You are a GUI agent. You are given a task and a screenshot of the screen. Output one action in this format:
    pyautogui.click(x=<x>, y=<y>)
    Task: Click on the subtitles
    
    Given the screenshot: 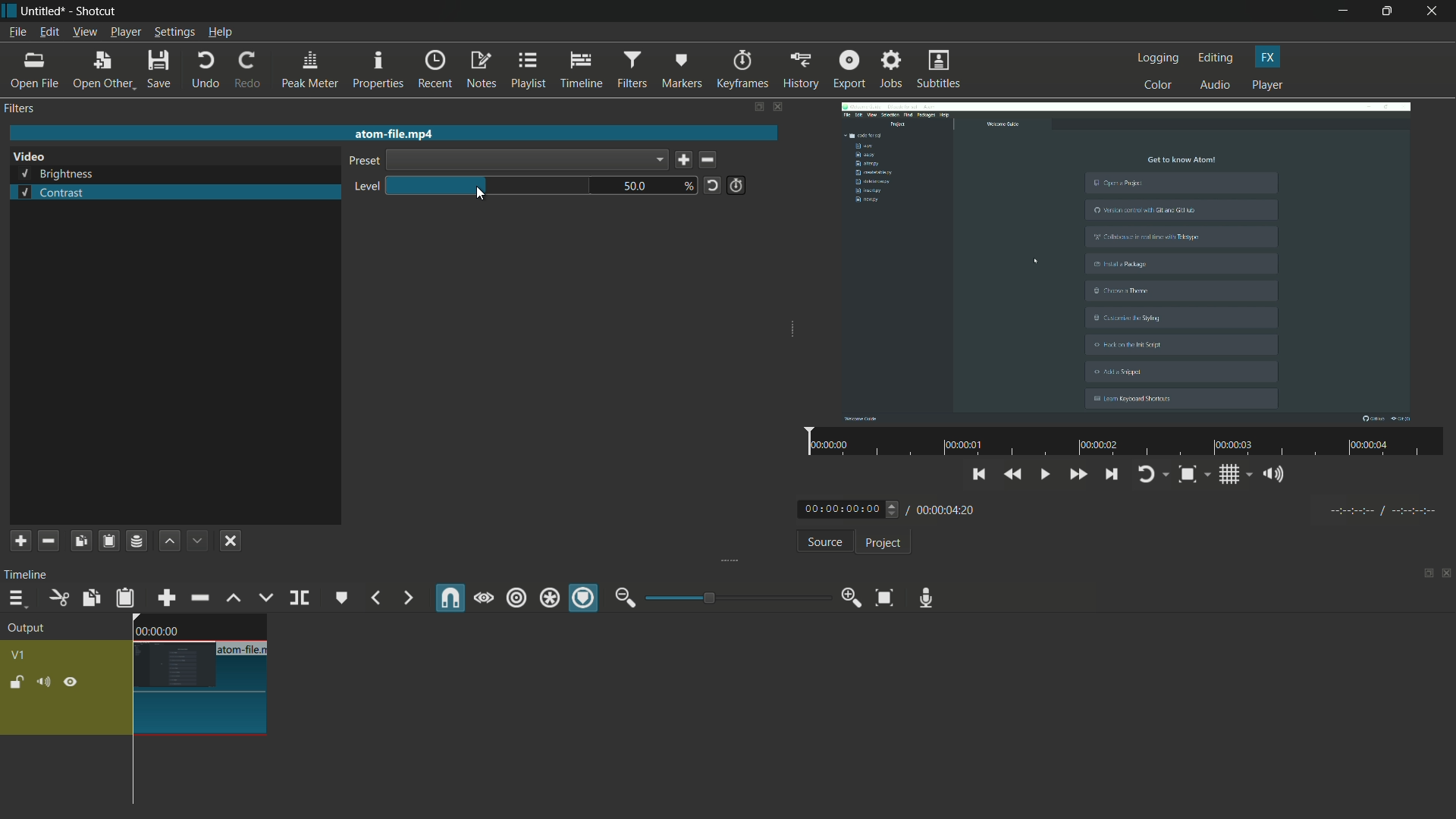 What is the action you would take?
    pyautogui.click(x=940, y=71)
    